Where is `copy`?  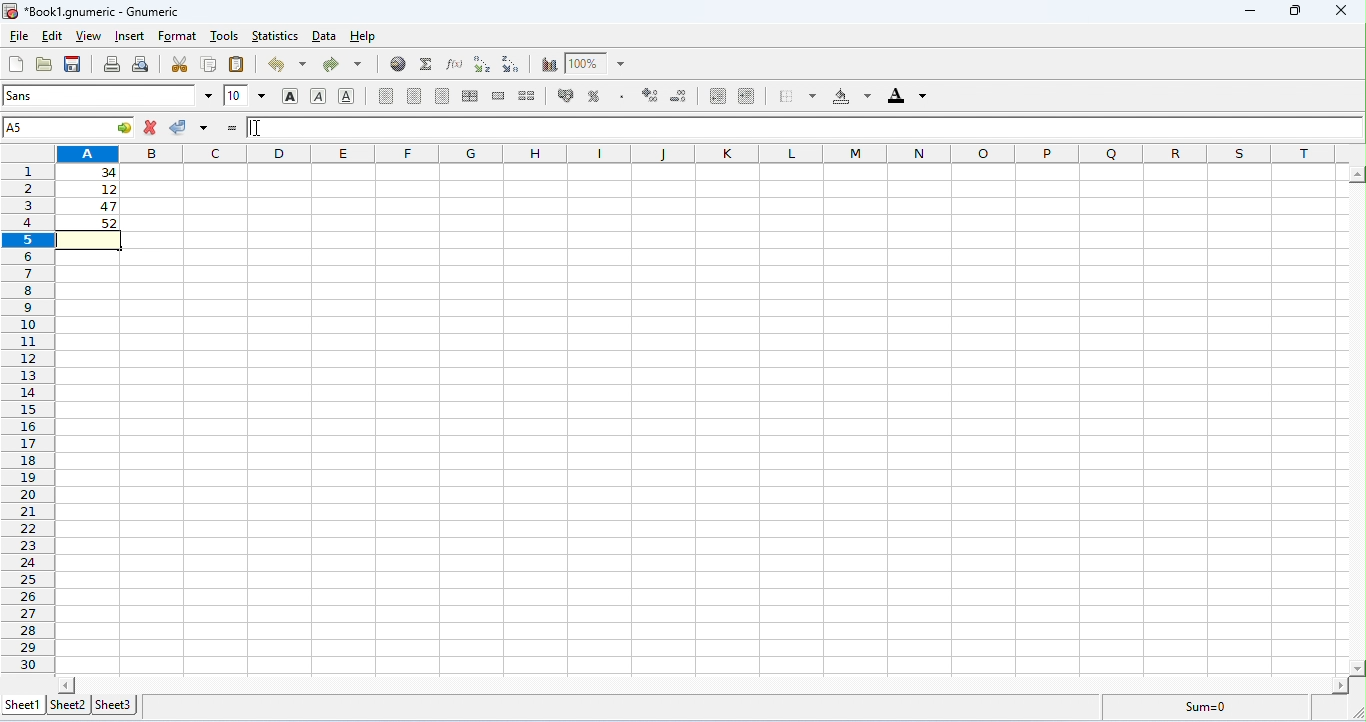
copy is located at coordinates (209, 63).